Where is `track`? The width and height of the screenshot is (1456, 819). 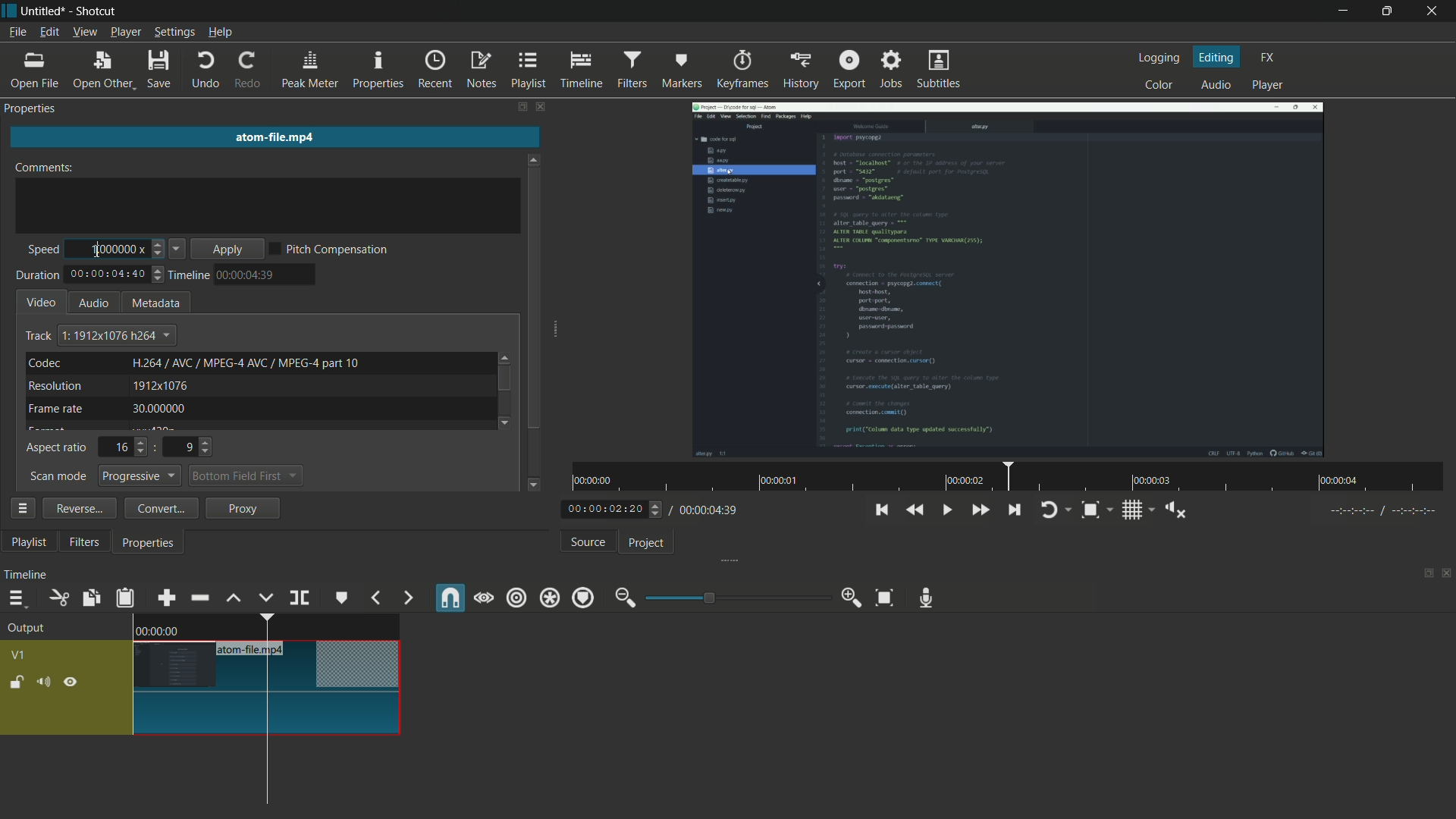 track is located at coordinates (38, 337).